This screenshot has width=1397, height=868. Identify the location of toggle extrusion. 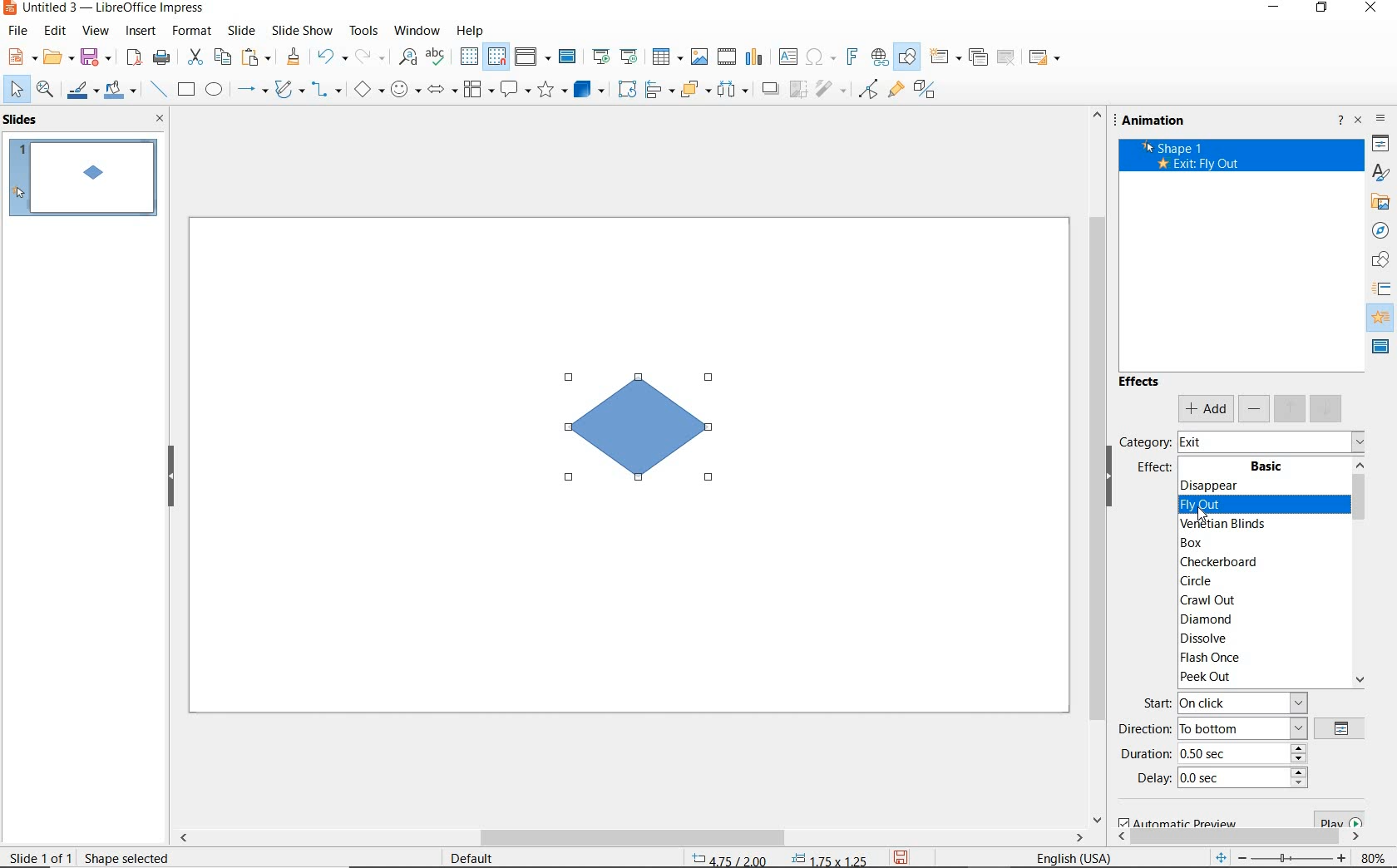
(927, 91).